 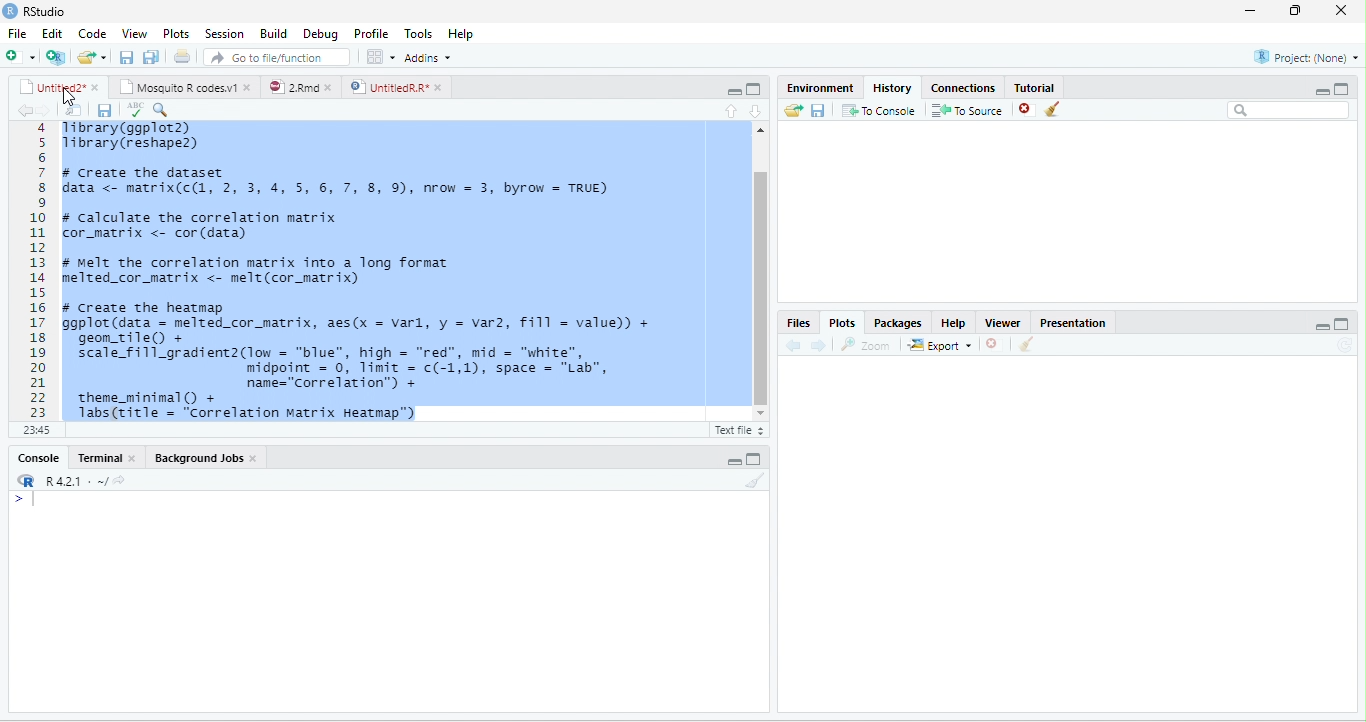 What do you see at coordinates (183, 87) in the screenshot?
I see `mosquito R codes v1` at bounding box center [183, 87].